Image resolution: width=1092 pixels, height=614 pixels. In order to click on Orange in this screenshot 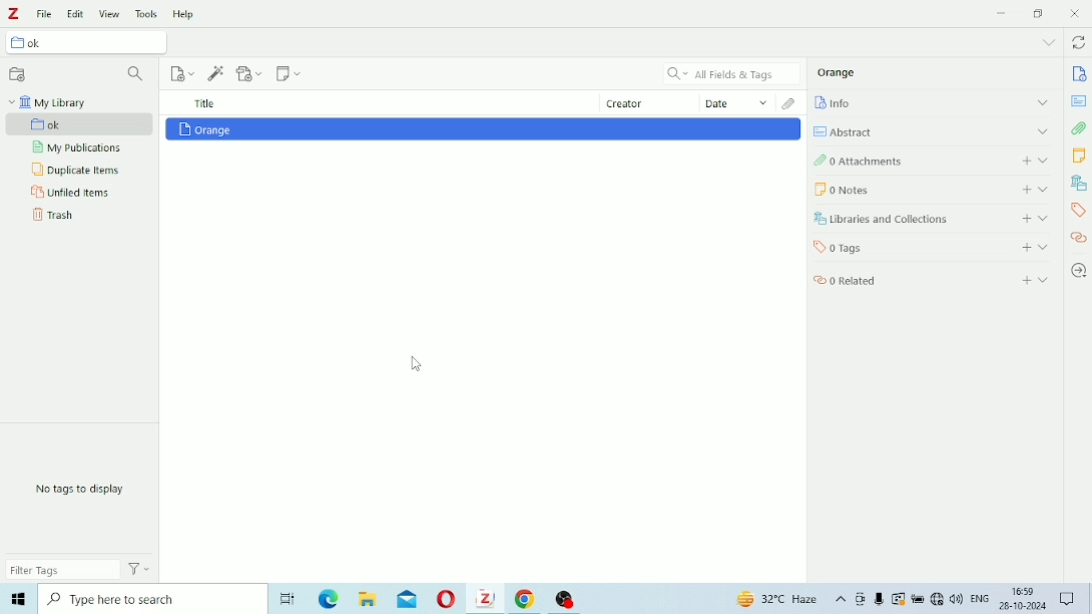, I will do `click(205, 129)`.